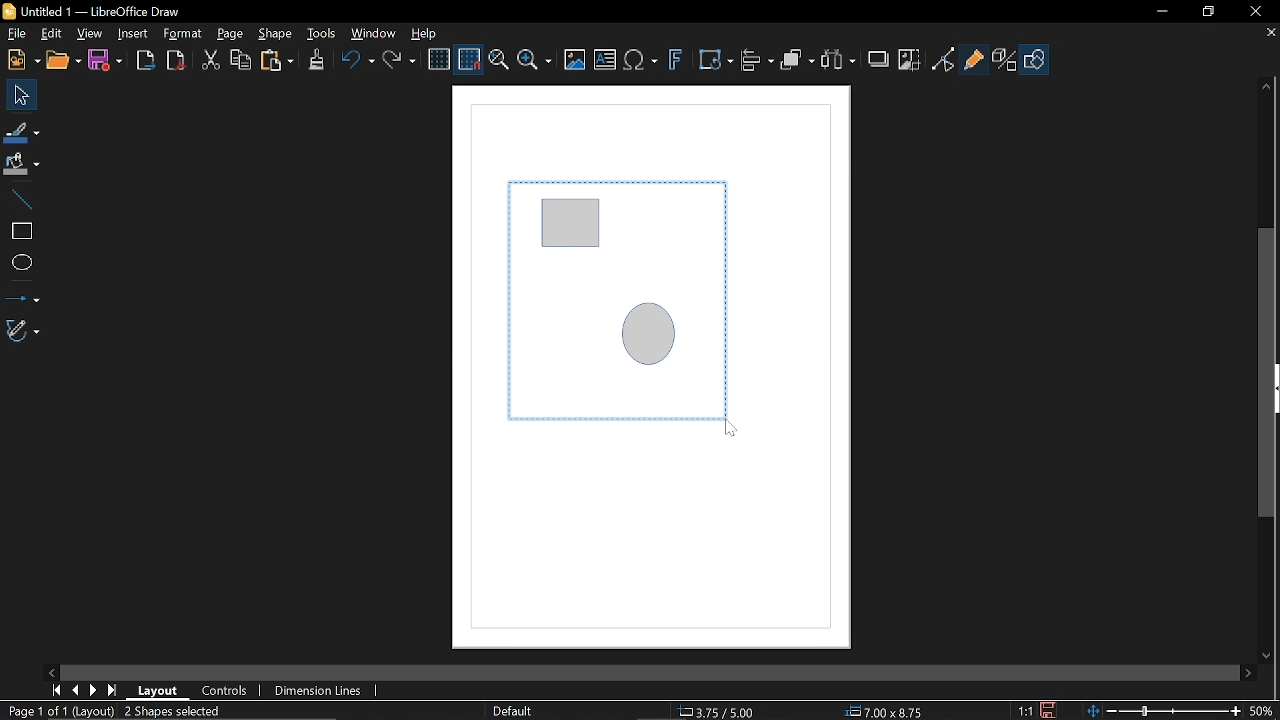  I want to click on Insert equation, so click(643, 60).